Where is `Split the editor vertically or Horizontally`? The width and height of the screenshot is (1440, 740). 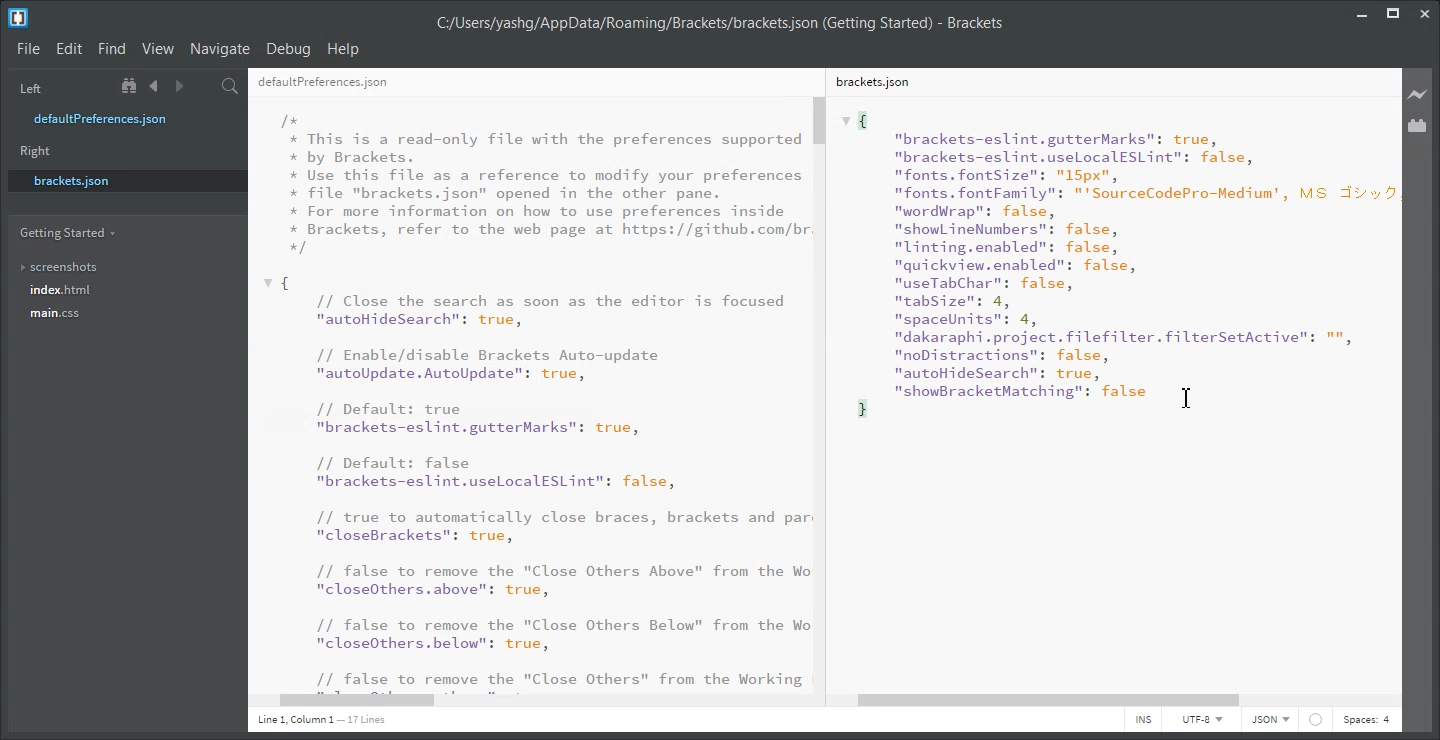 Split the editor vertically or Horizontally is located at coordinates (204, 86).